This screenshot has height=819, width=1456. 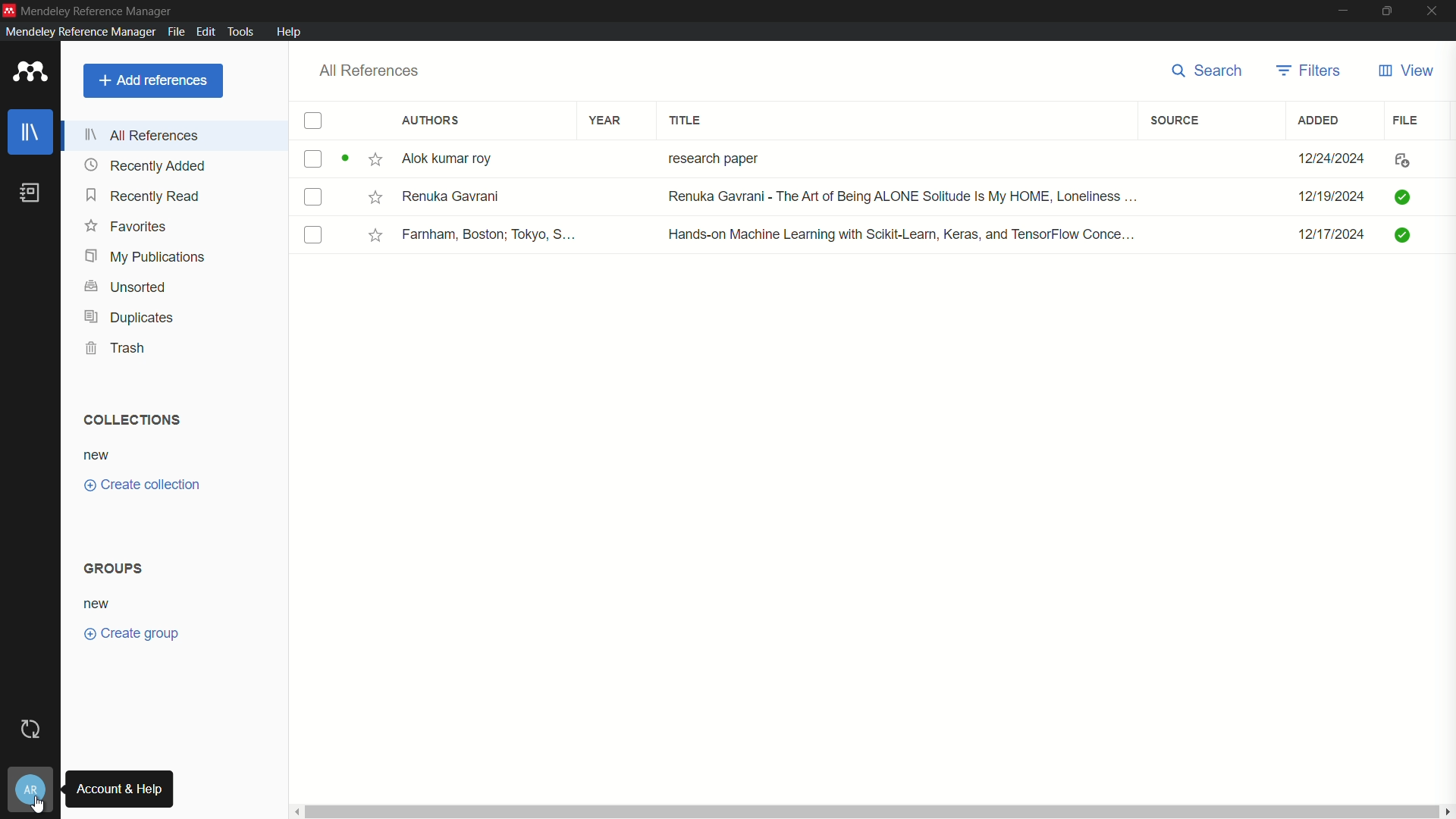 What do you see at coordinates (686, 121) in the screenshot?
I see `title` at bounding box center [686, 121].